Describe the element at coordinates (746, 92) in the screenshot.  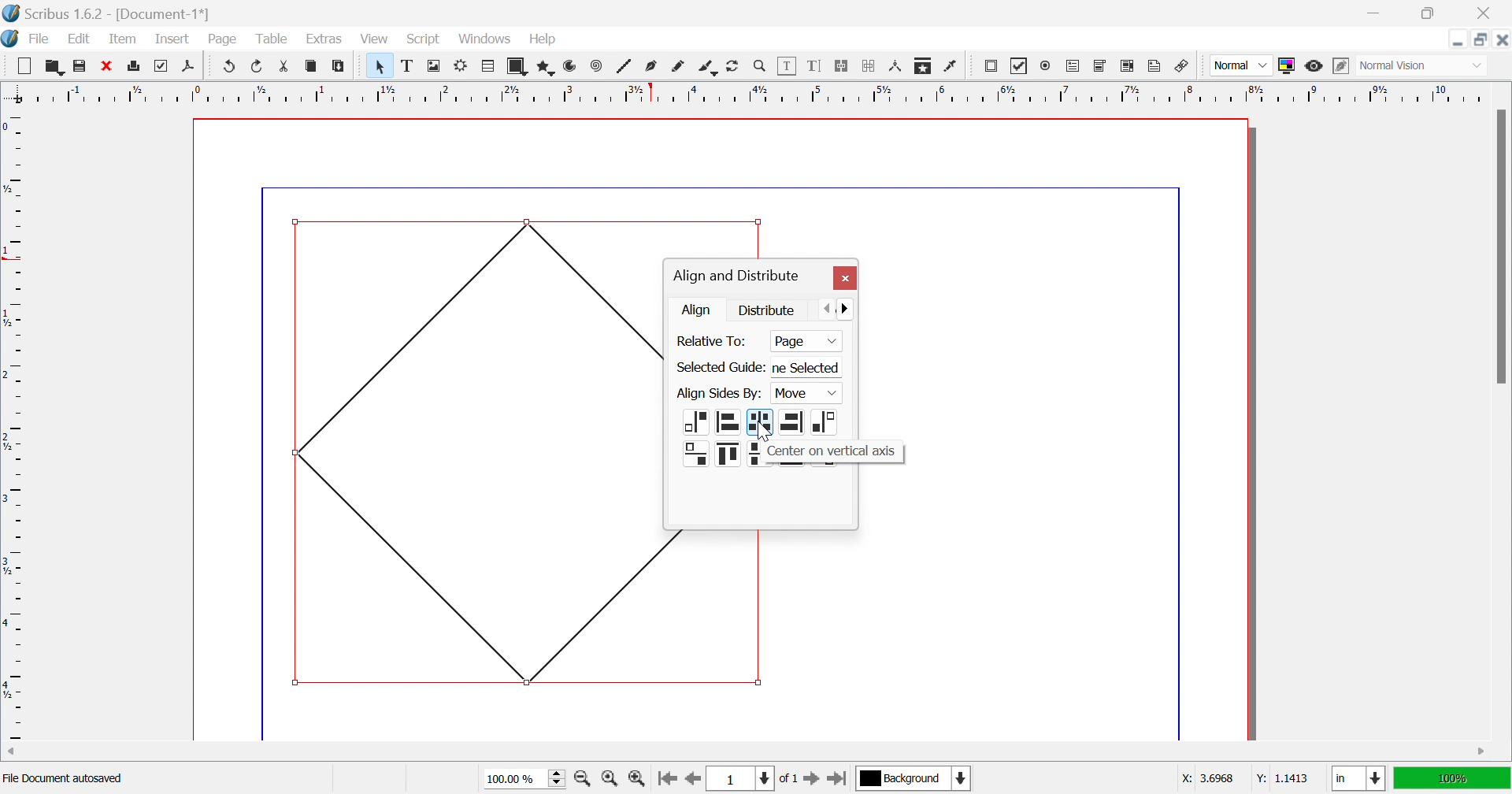
I see `Ruler` at that location.